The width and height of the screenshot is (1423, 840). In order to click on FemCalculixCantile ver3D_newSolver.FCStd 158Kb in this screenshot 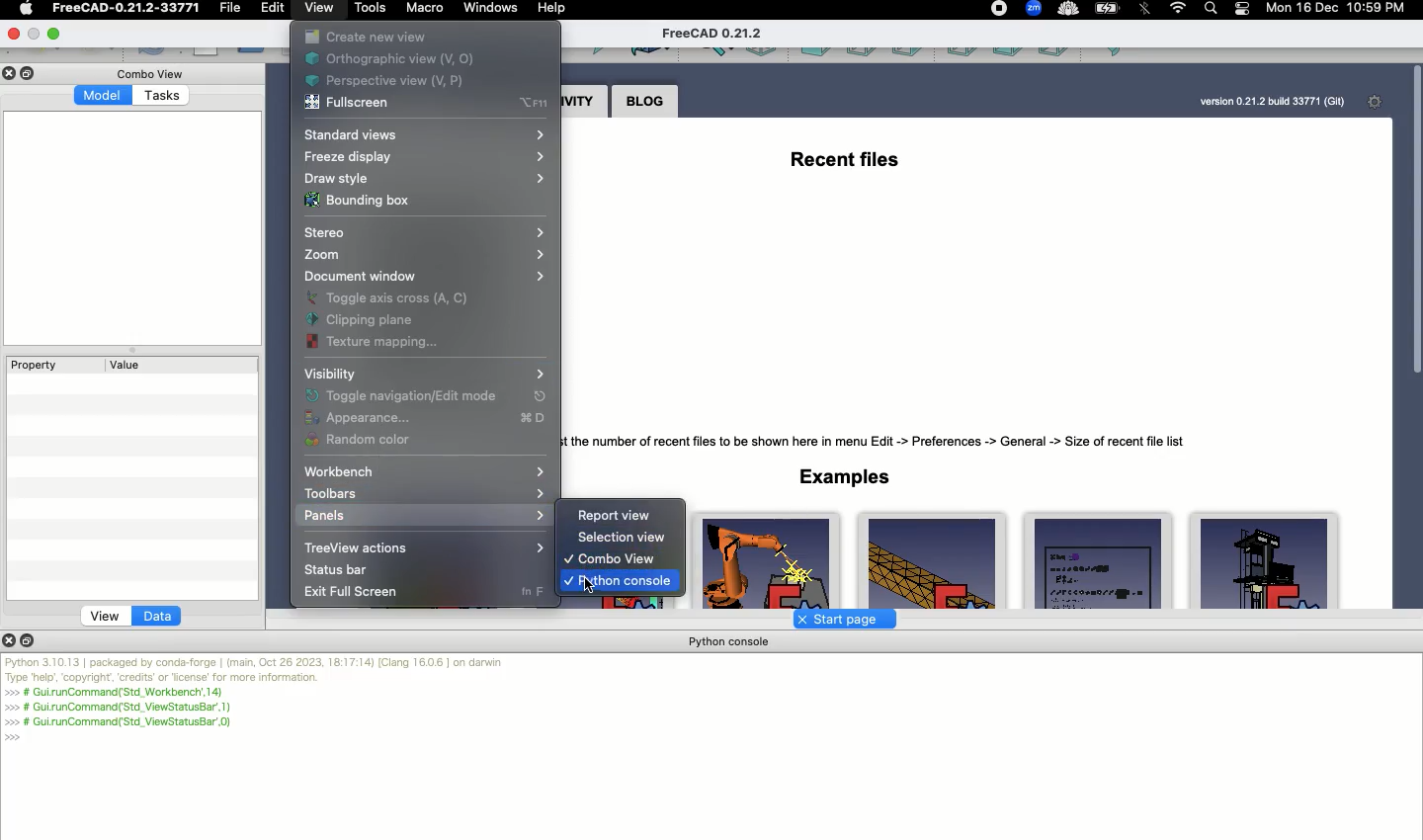, I will do `click(932, 560)`.